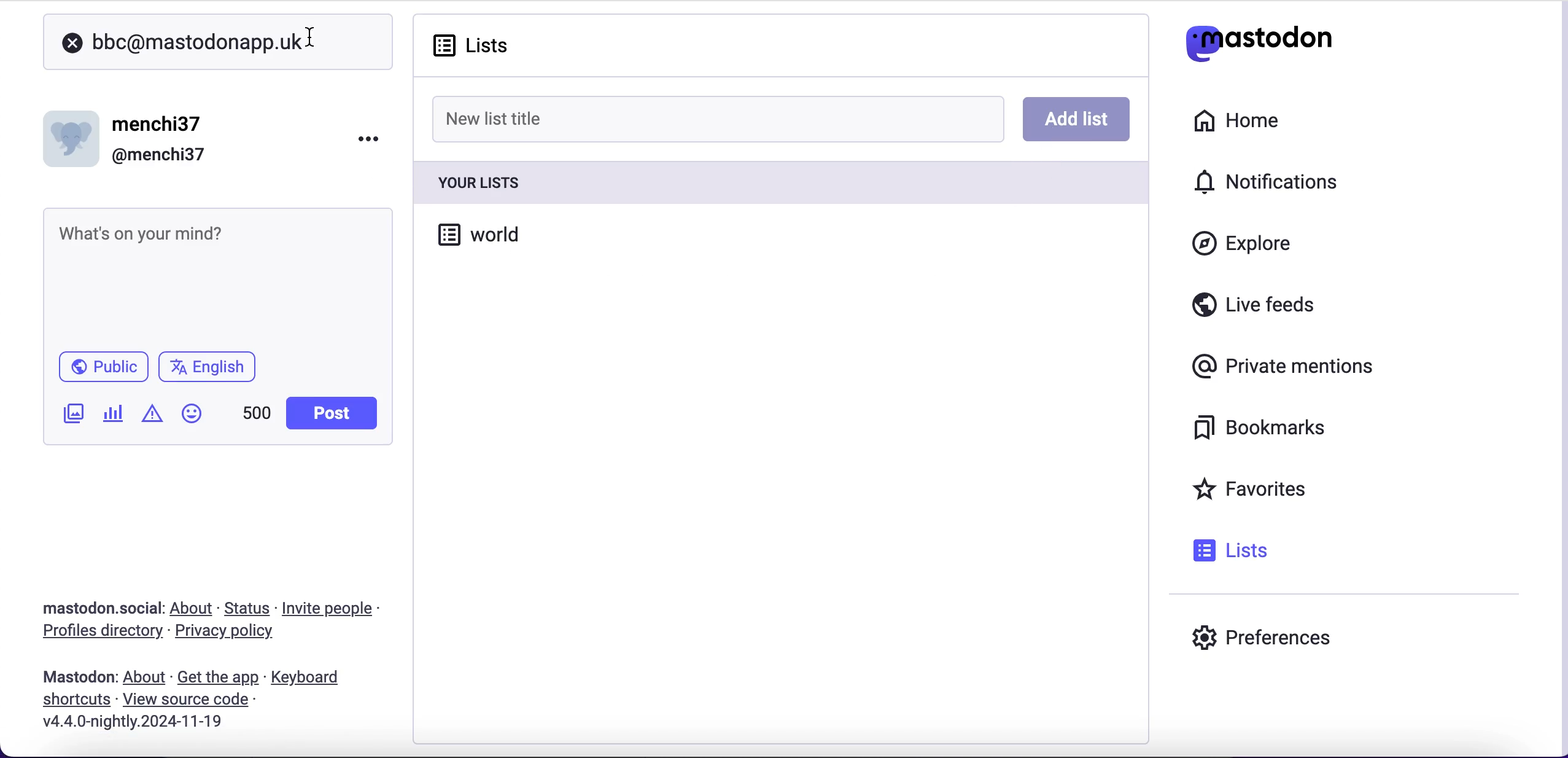 Image resolution: width=1568 pixels, height=758 pixels. I want to click on language, so click(212, 372).